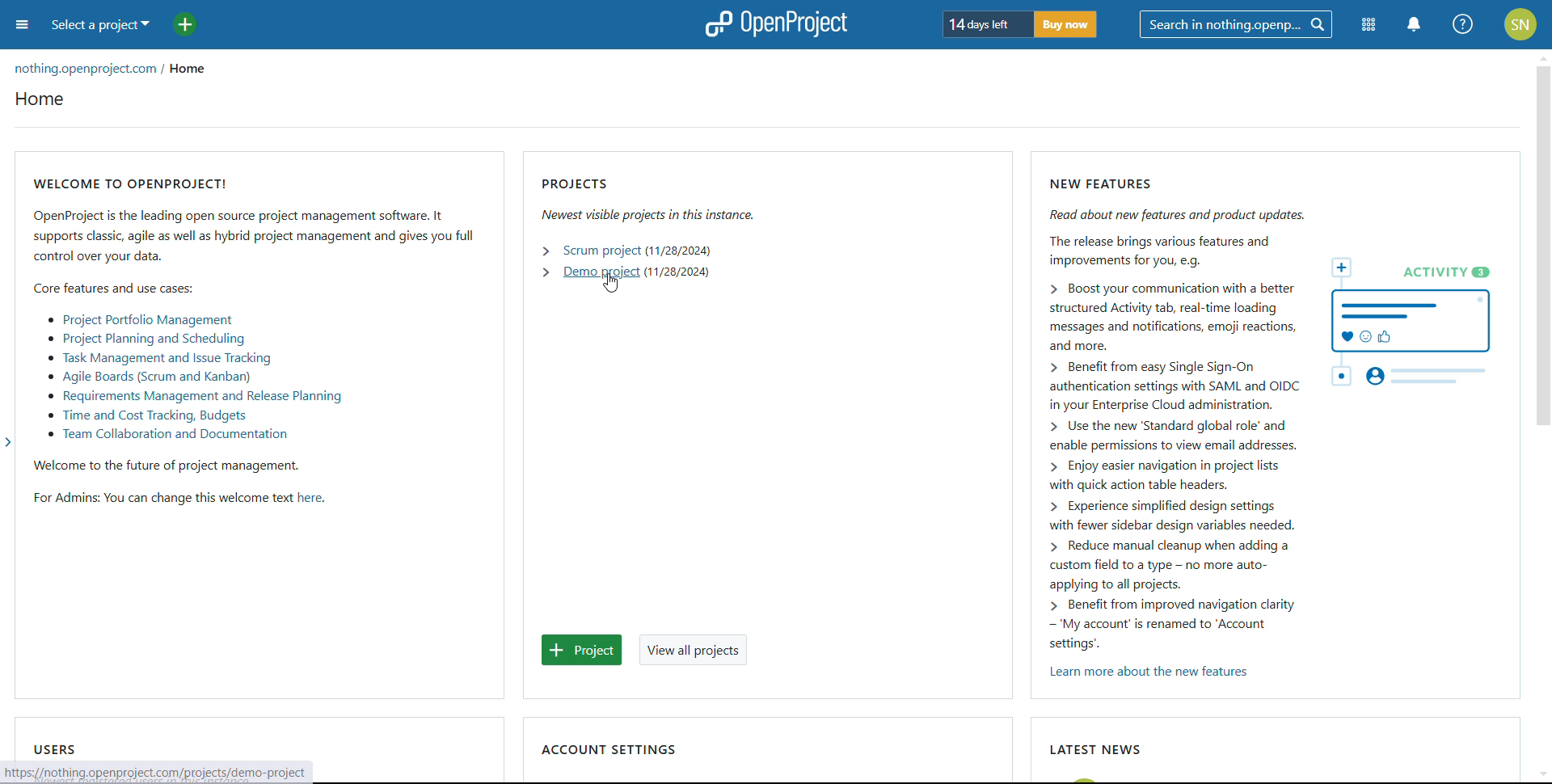 Image resolution: width=1552 pixels, height=784 pixels. Describe the element at coordinates (546, 272) in the screenshot. I see `expand demo project` at that location.